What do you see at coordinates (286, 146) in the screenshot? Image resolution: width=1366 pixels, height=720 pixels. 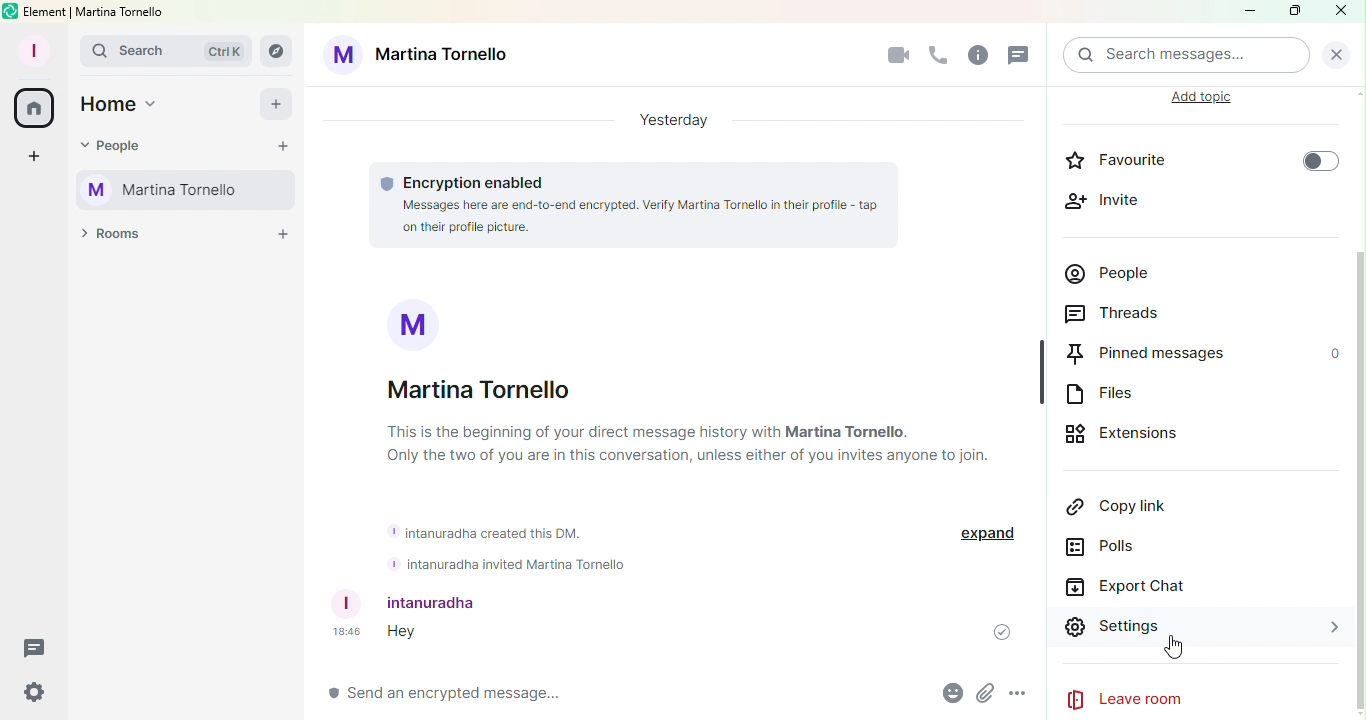 I see `Start chat` at bounding box center [286, 146].